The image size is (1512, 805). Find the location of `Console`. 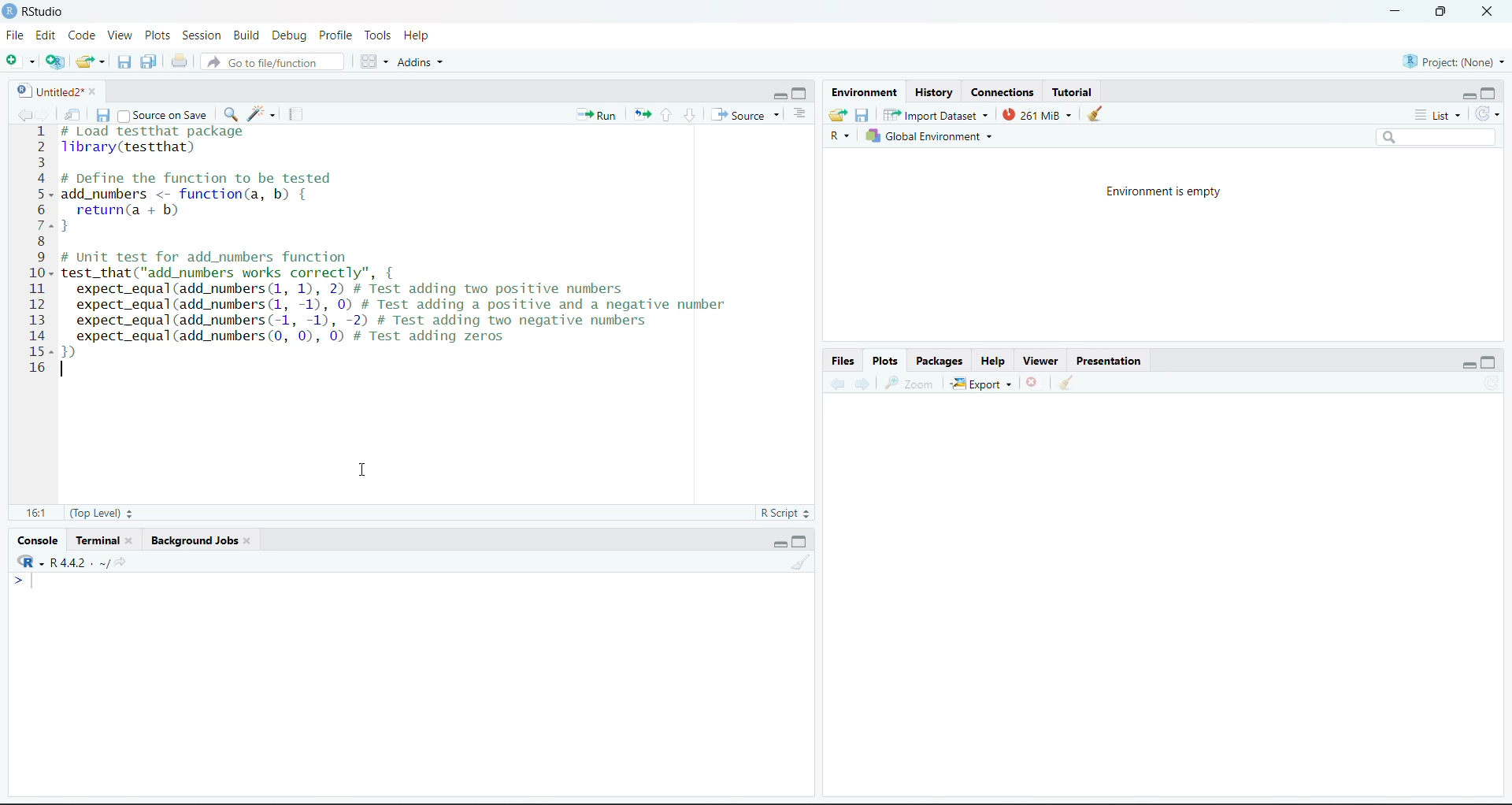

Console is located at coordinates (36, 539).